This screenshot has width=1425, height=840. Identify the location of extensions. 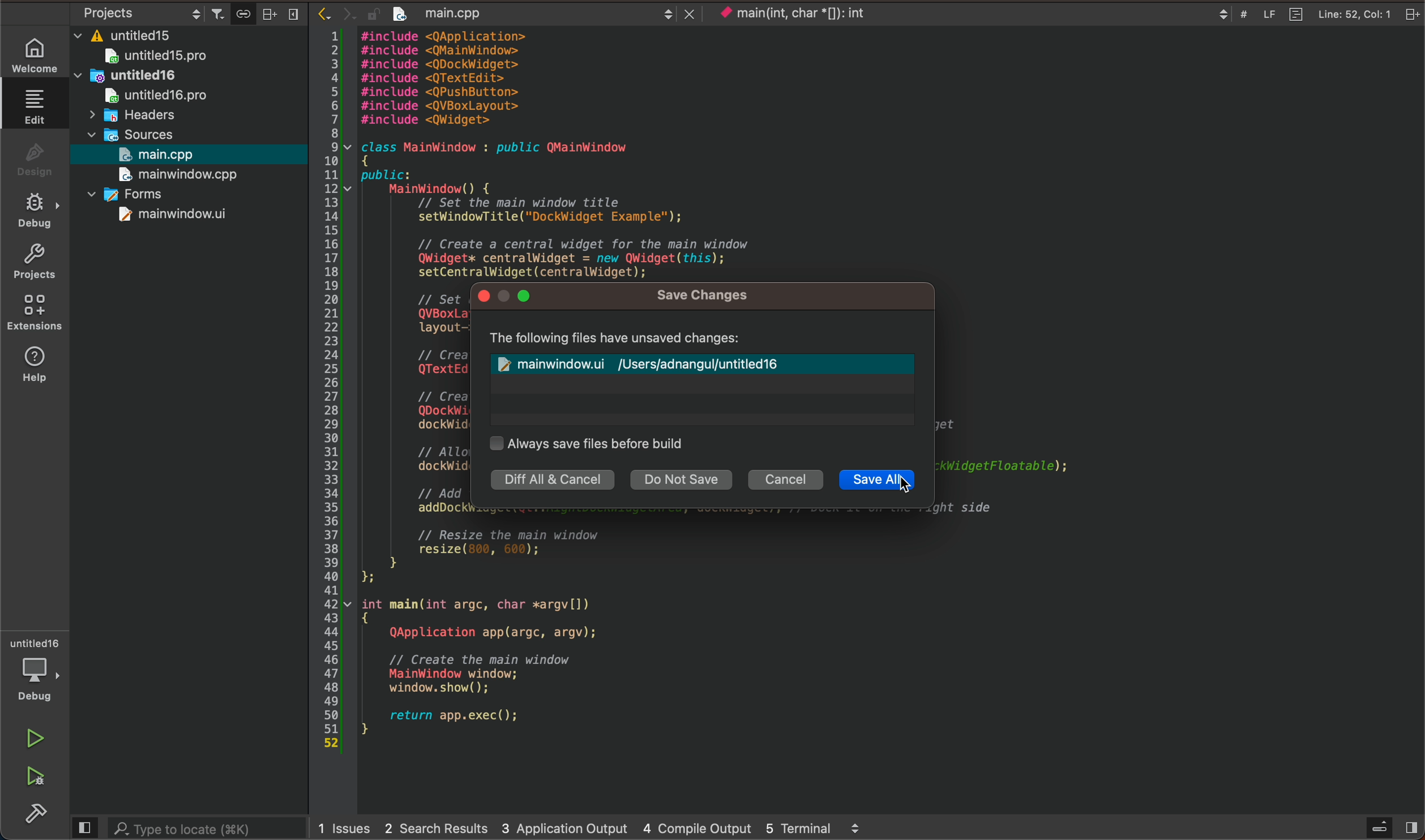
(35, 314).